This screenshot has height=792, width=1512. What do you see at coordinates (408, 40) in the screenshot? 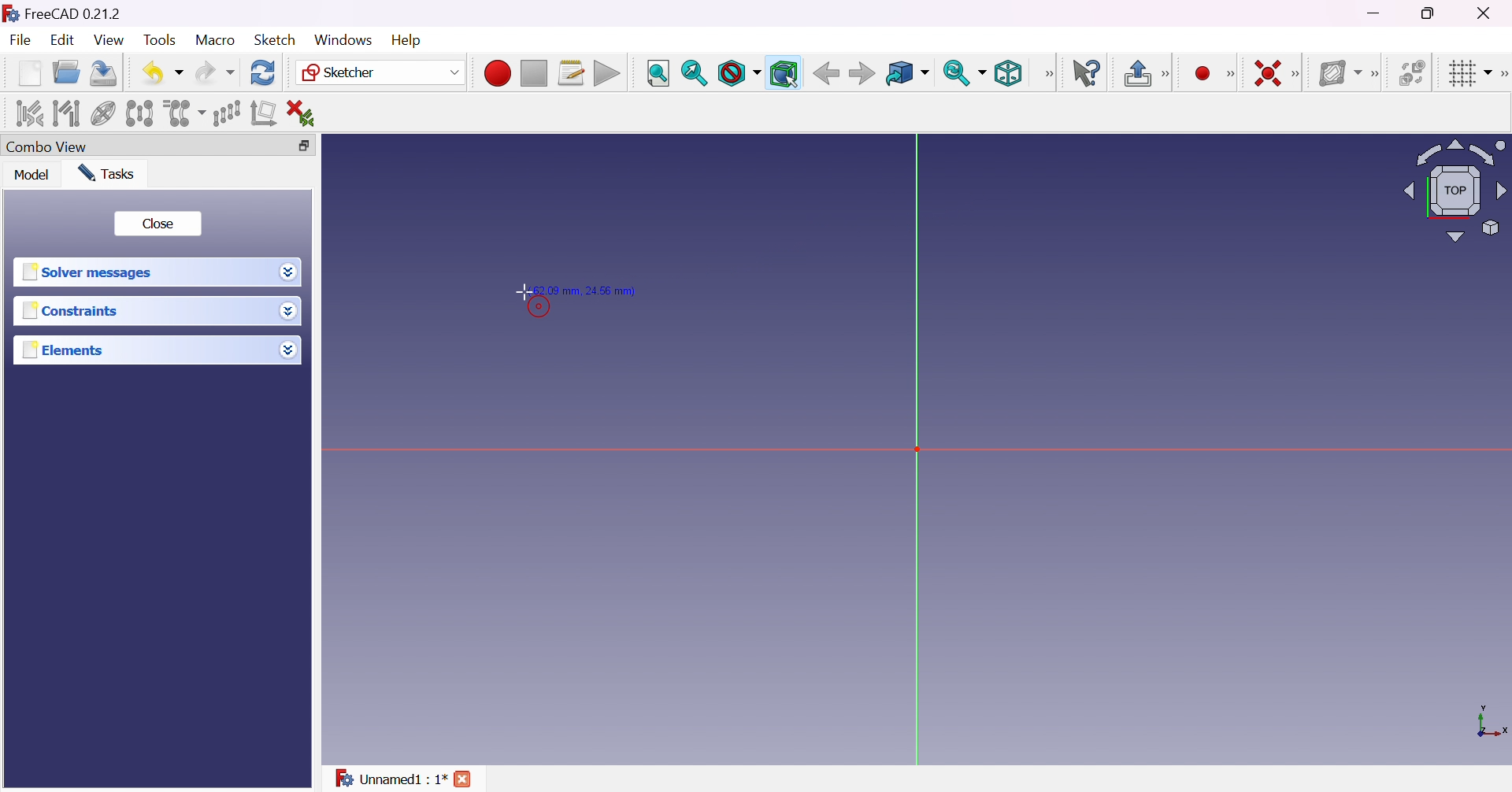
I see `Help` at bounding box center [408, 40].